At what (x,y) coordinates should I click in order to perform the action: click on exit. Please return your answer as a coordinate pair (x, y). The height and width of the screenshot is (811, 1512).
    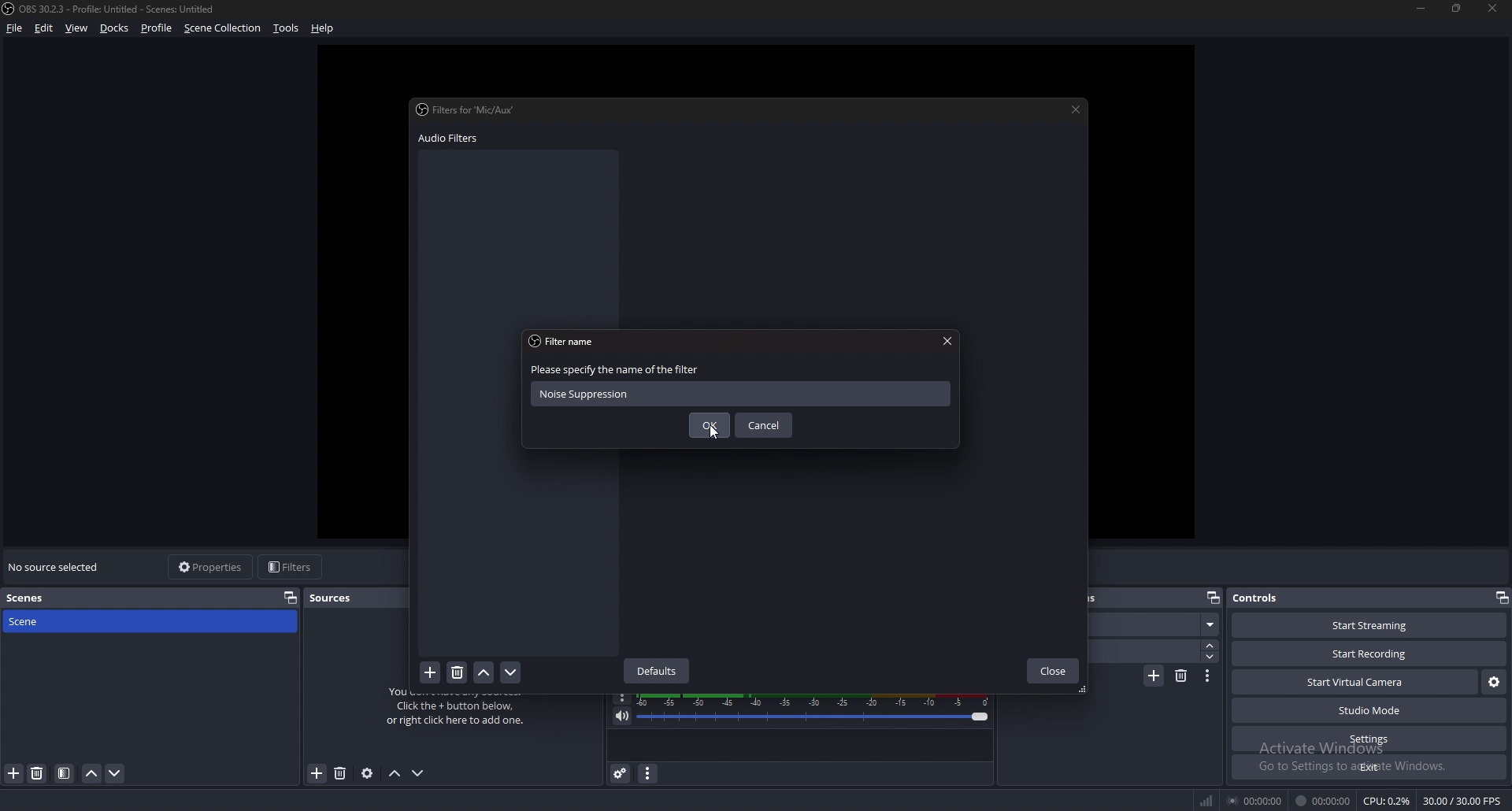
    Looking at the image, I should click on (1368, 768).